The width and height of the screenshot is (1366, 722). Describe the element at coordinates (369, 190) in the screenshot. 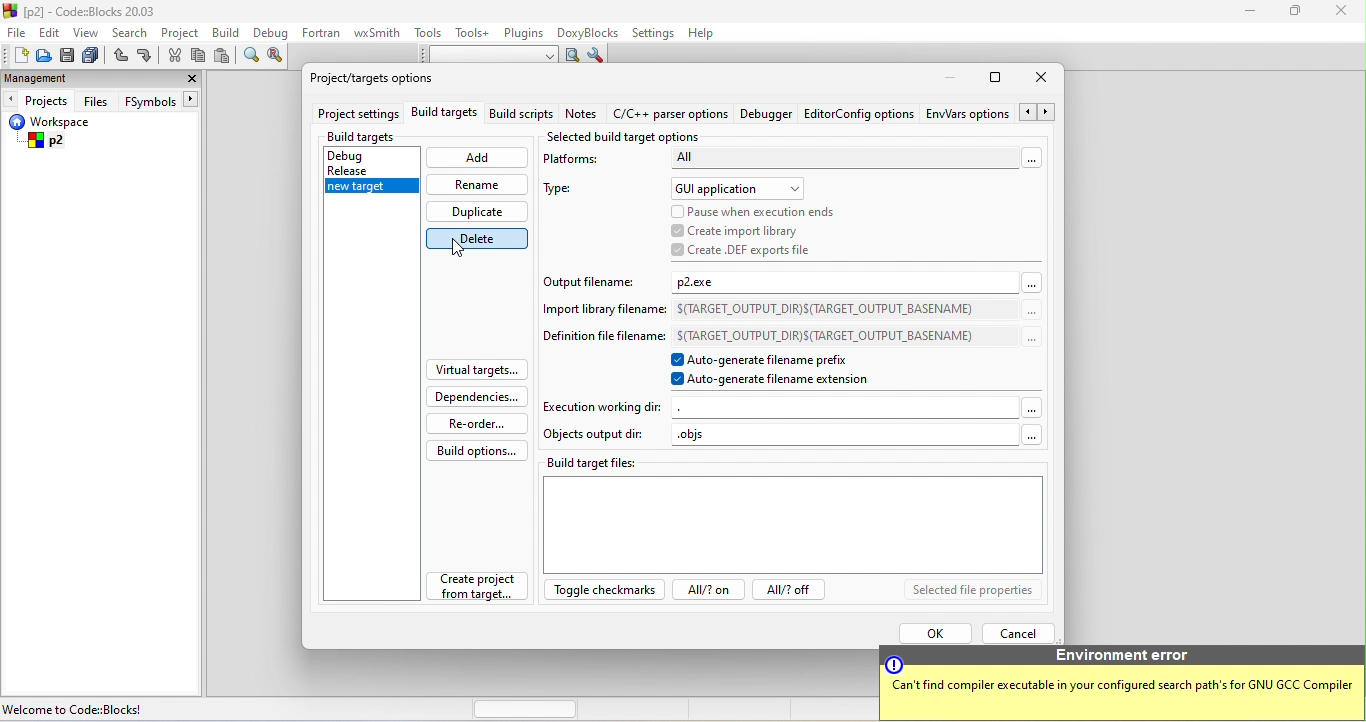

I see `new target` at that location.